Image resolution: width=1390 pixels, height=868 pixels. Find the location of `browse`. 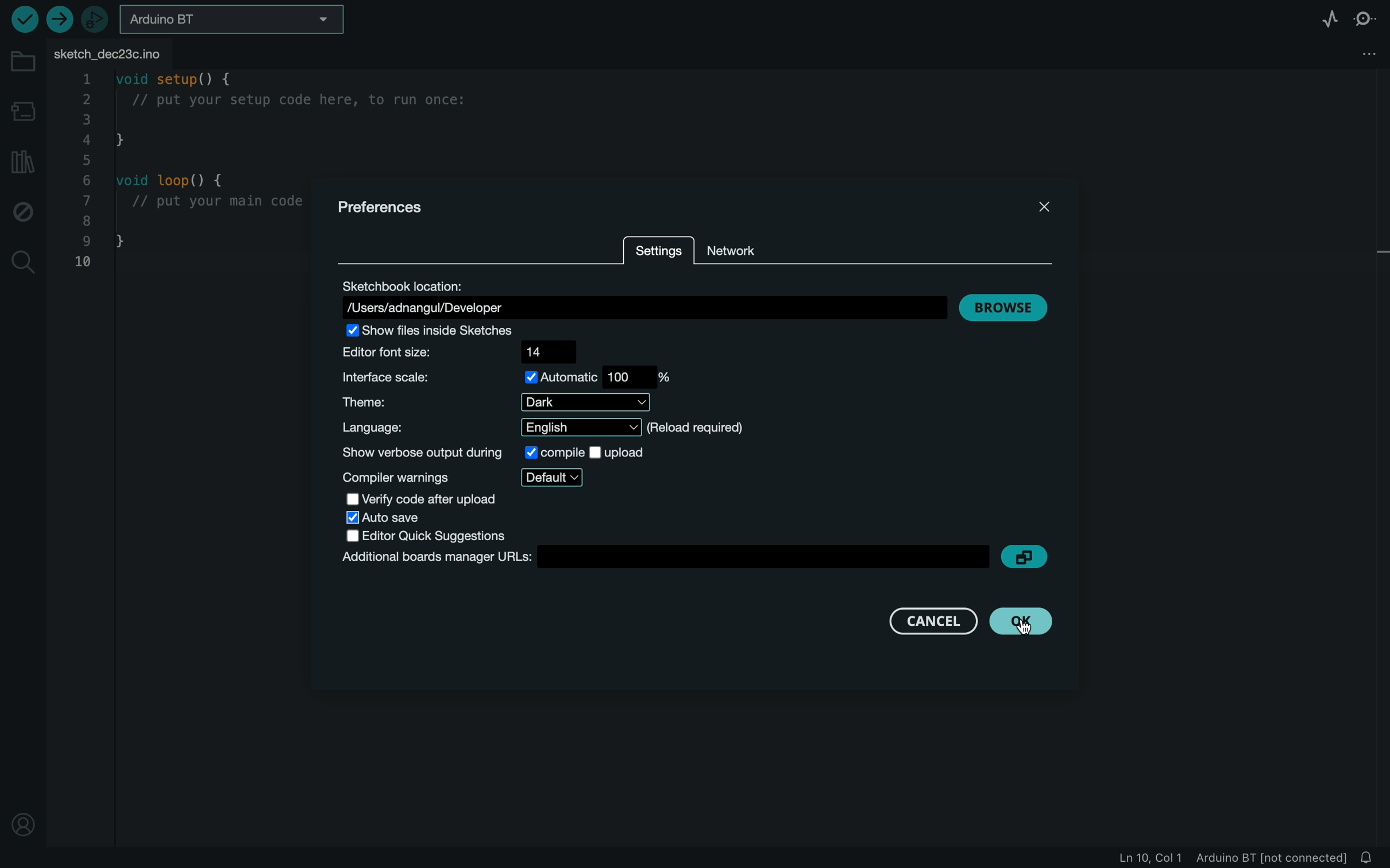

browse is located at coordinates (1003, 308).